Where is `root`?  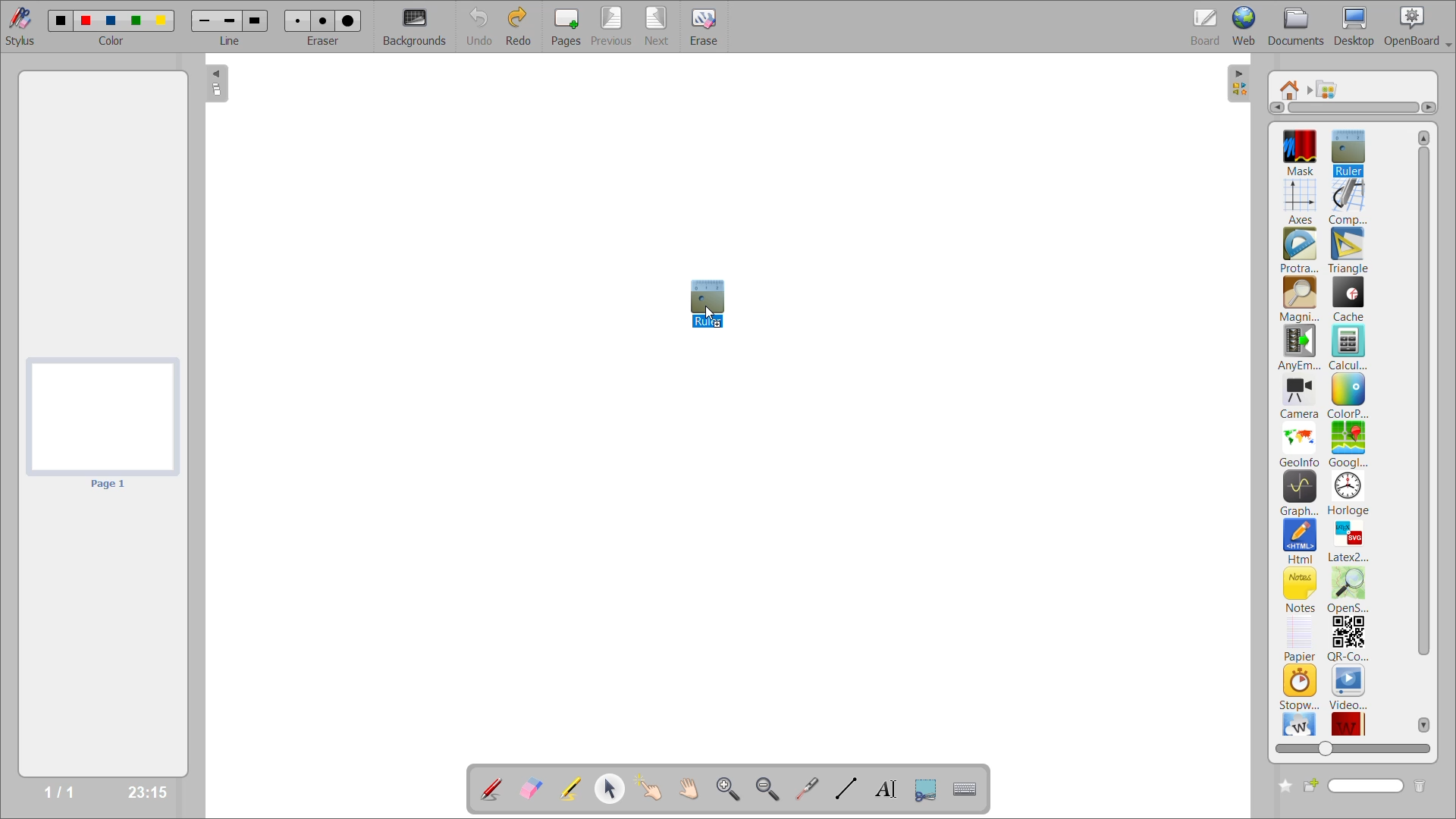 root is located at coordinates (1291, 89).